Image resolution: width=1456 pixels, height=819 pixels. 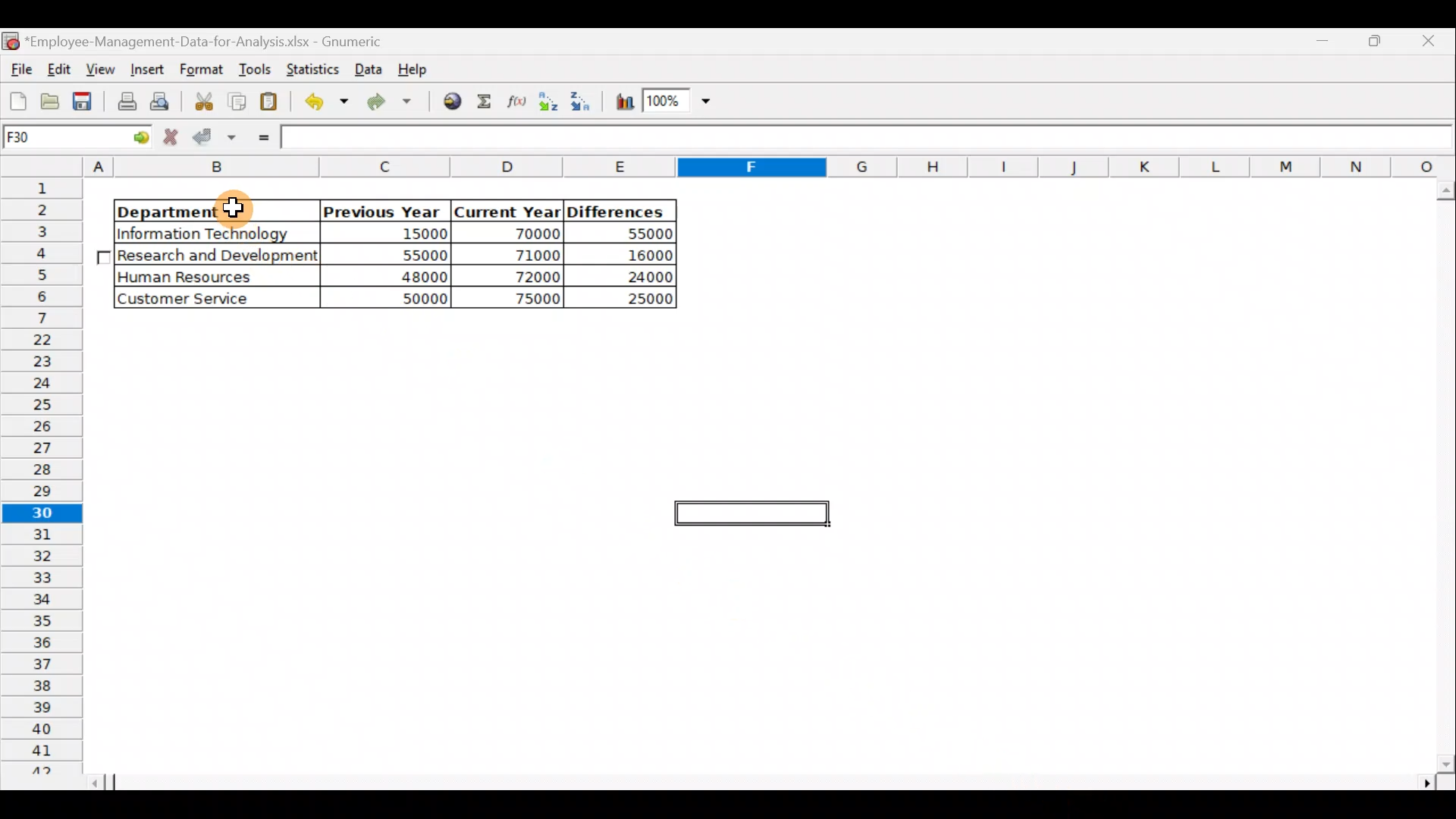 What do you see at coordinates (525, 254) in the screenshot?
I see `71000` at bounding box center [525, 254].